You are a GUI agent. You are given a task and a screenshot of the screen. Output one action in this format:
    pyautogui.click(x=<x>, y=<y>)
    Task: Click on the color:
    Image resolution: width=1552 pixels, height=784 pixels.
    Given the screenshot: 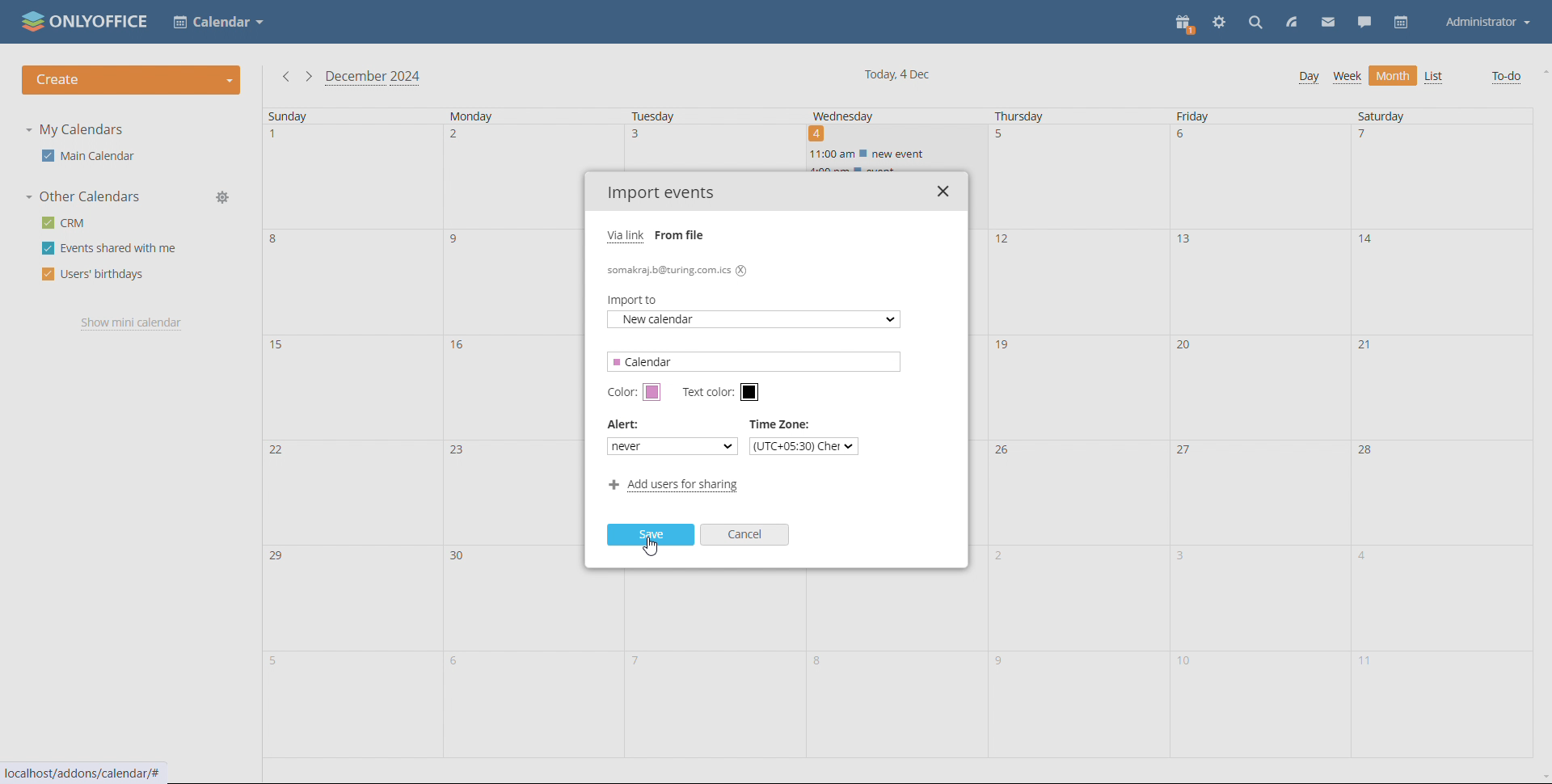 What is the action you would take?
    pyautogui.click(x=622, y=393)
    